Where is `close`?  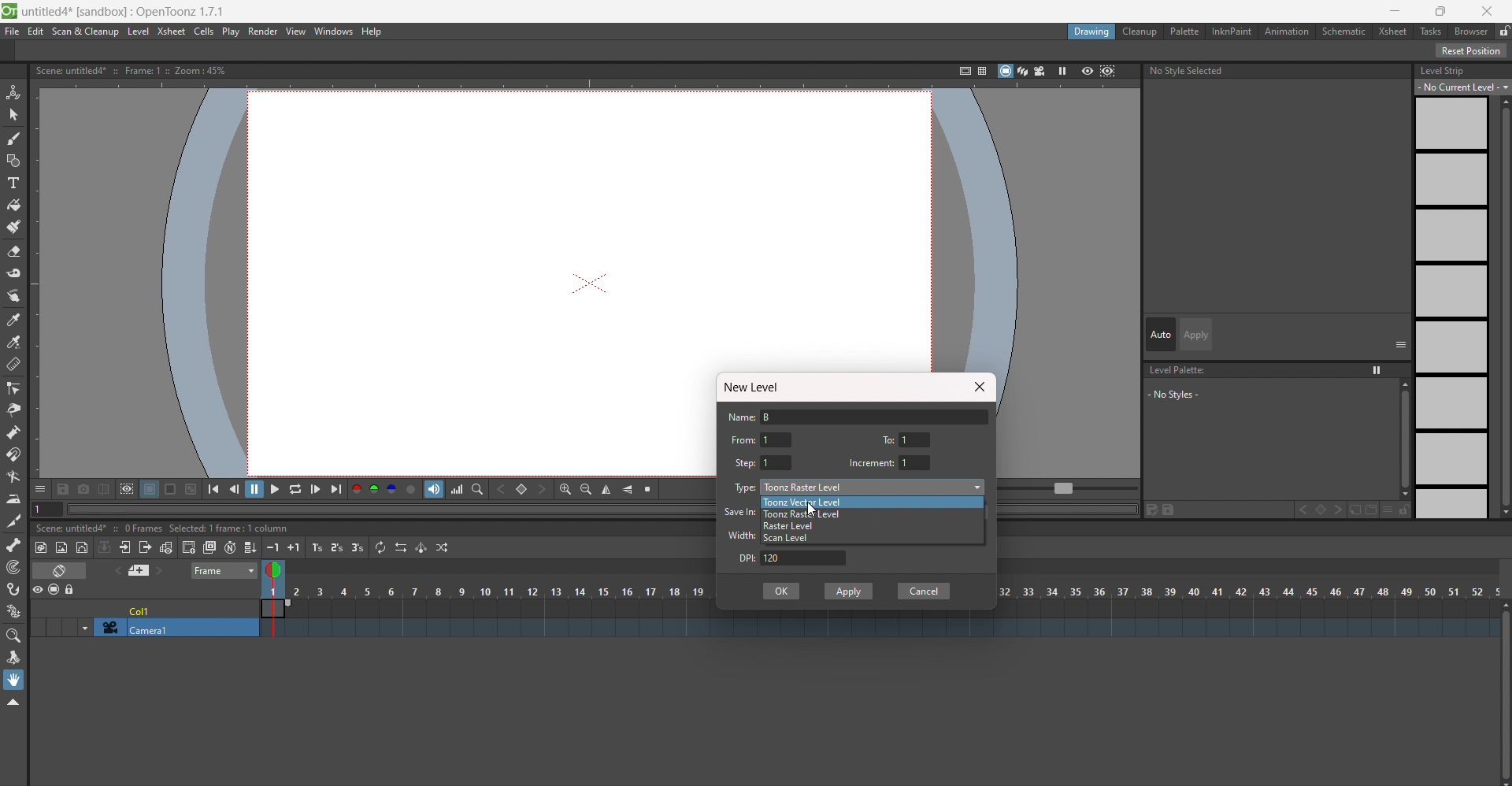
close is located at coordinates (1488, 11).